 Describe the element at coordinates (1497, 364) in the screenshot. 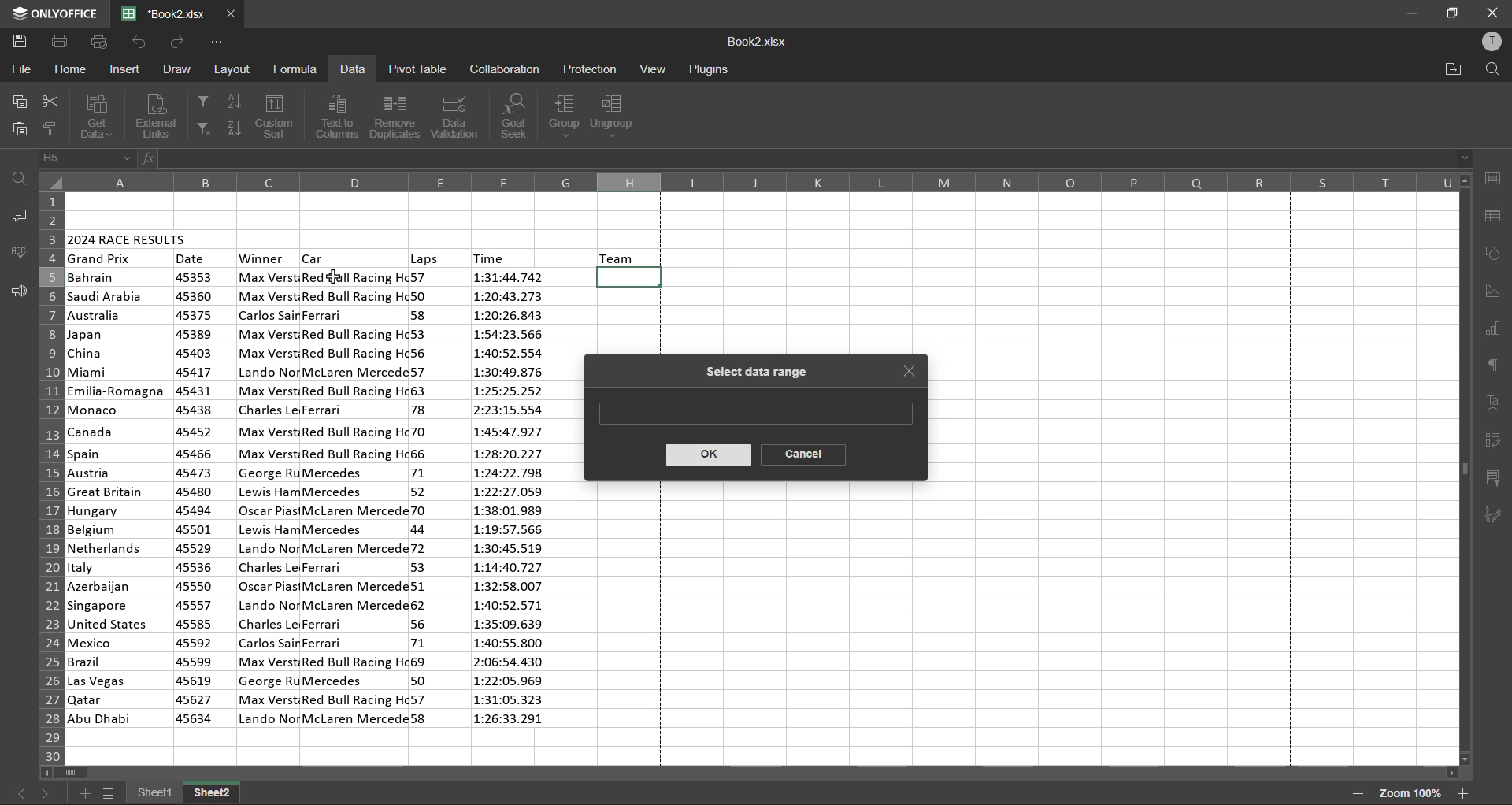

I see `paragraph` at that location.